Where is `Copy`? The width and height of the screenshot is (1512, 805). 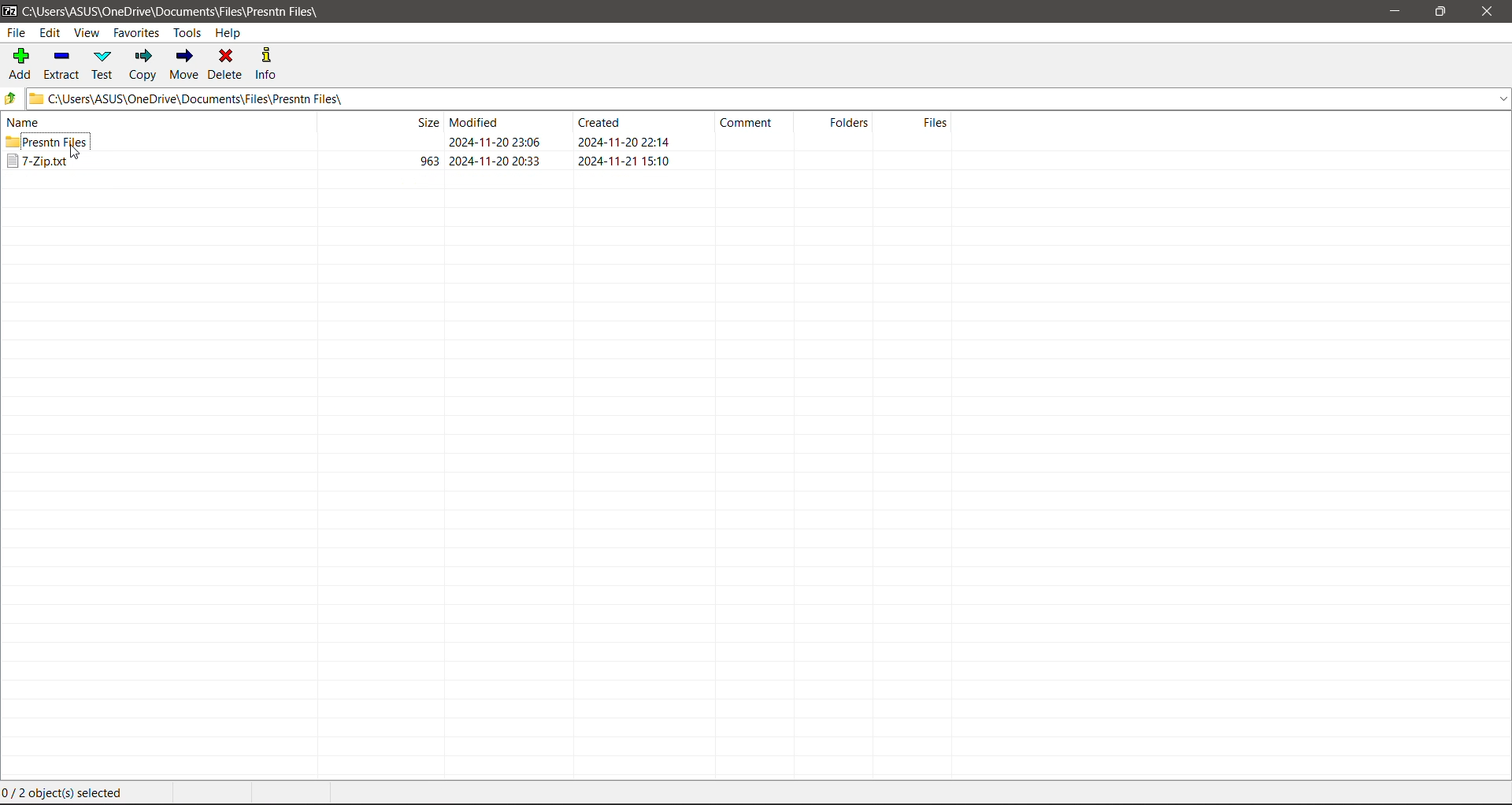
Copy is located at coordinates (143, 64).